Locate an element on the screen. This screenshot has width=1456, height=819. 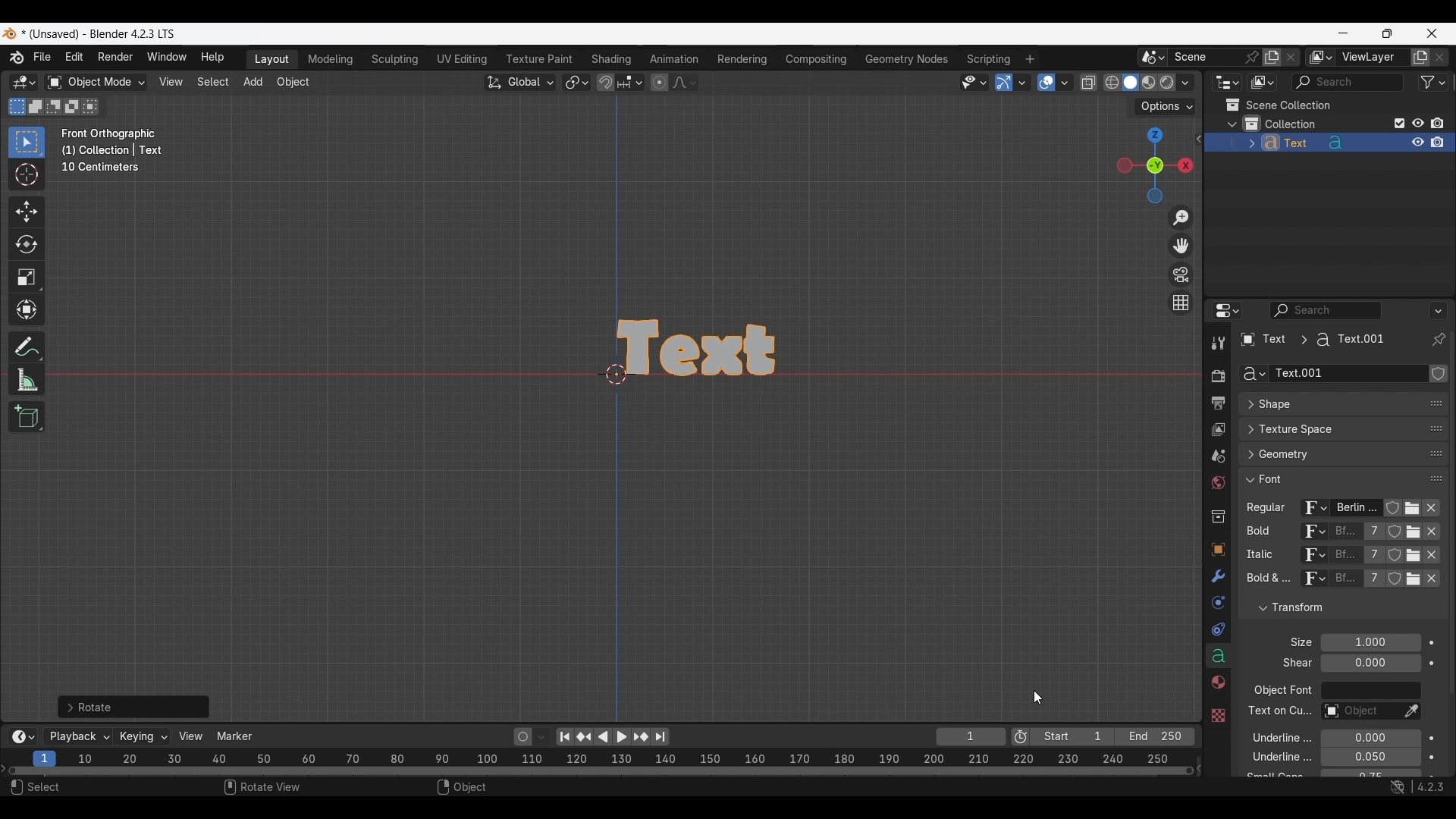
Edit menu is located at coordinates (74, 58).